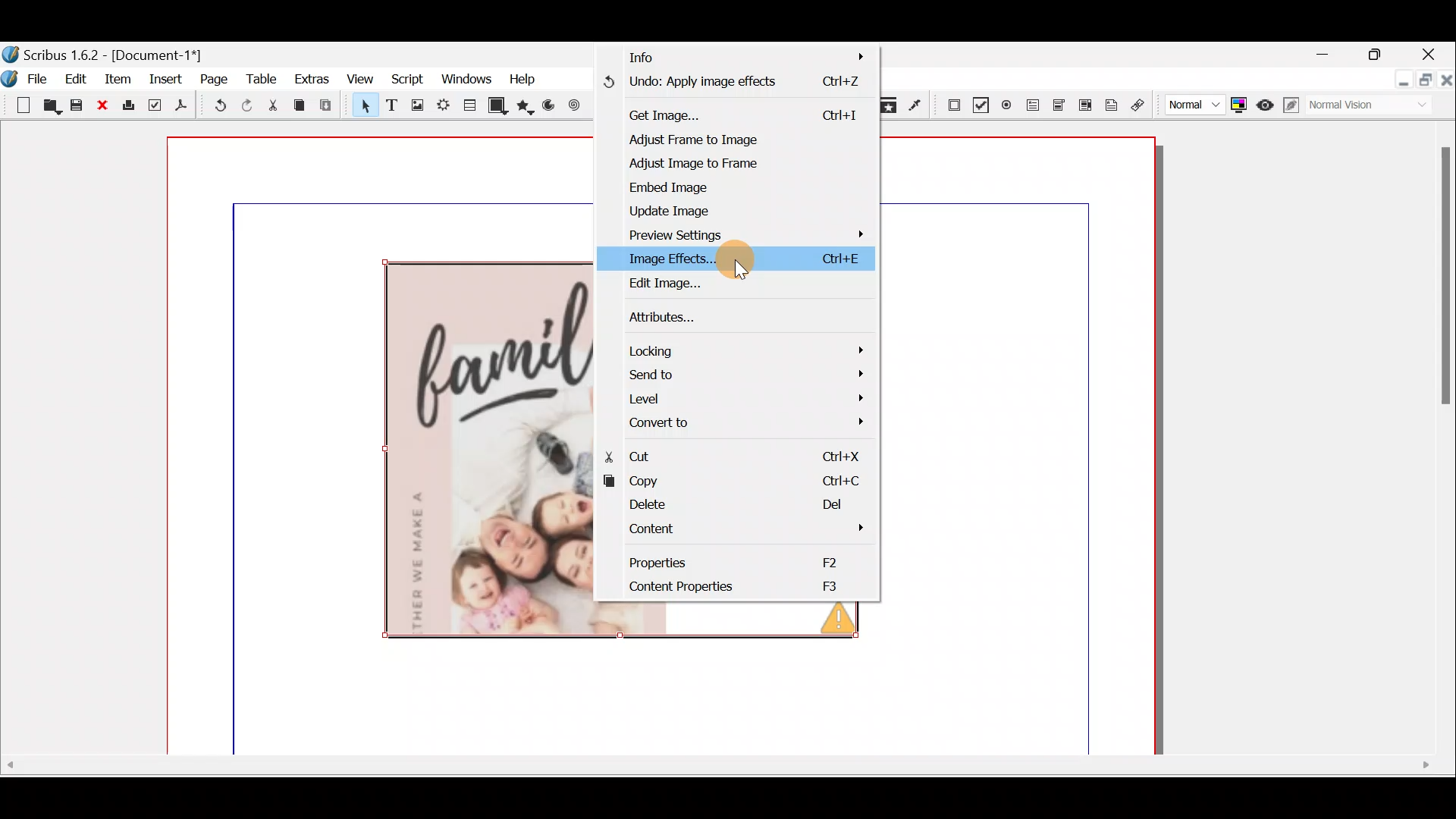 Image resolution: width=1456 pixels, height=819 pixels. I want to click on Send to, so click(750, 375).